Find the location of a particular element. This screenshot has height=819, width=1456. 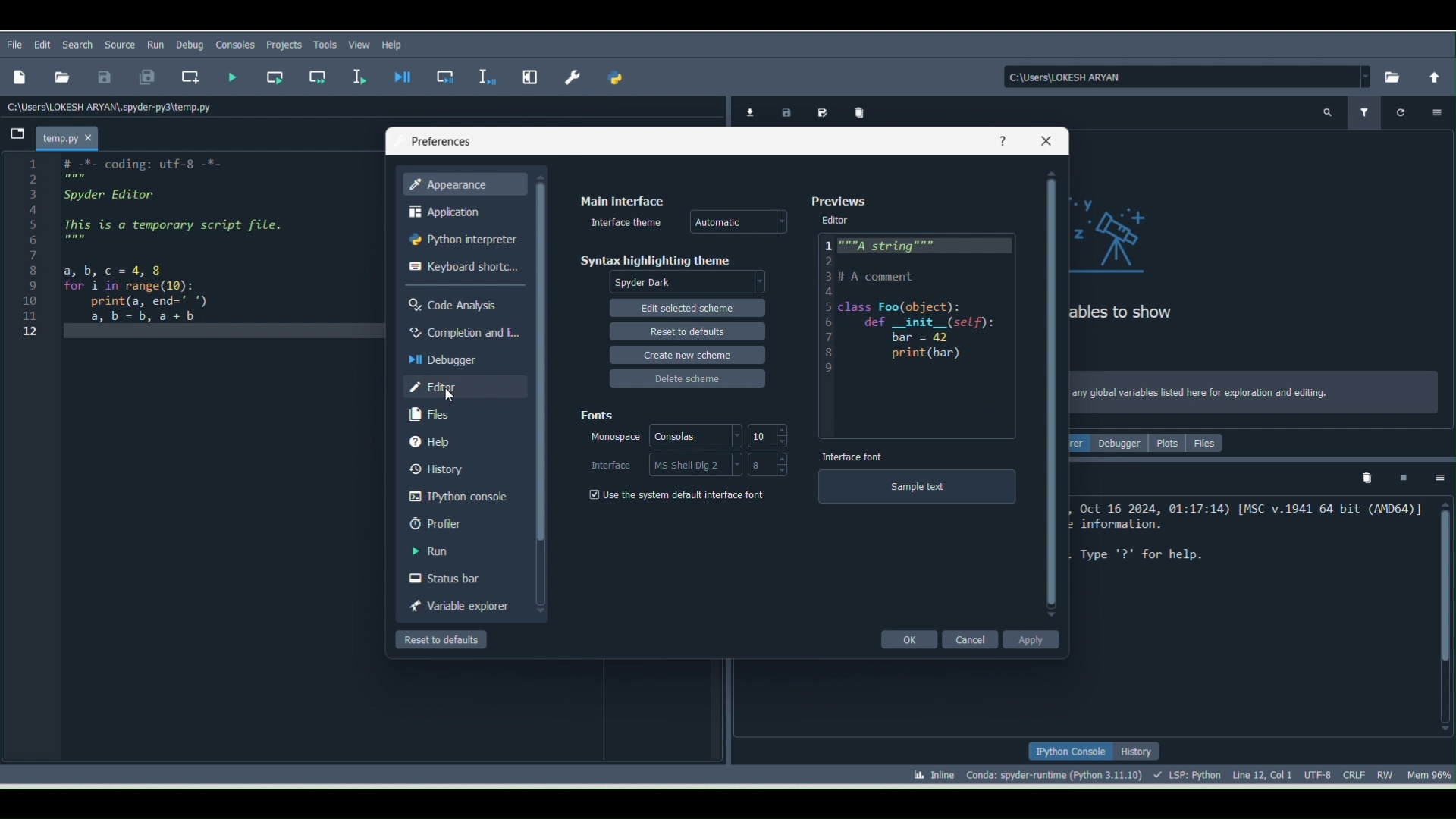

Interface is located at coordinates (608, 463).